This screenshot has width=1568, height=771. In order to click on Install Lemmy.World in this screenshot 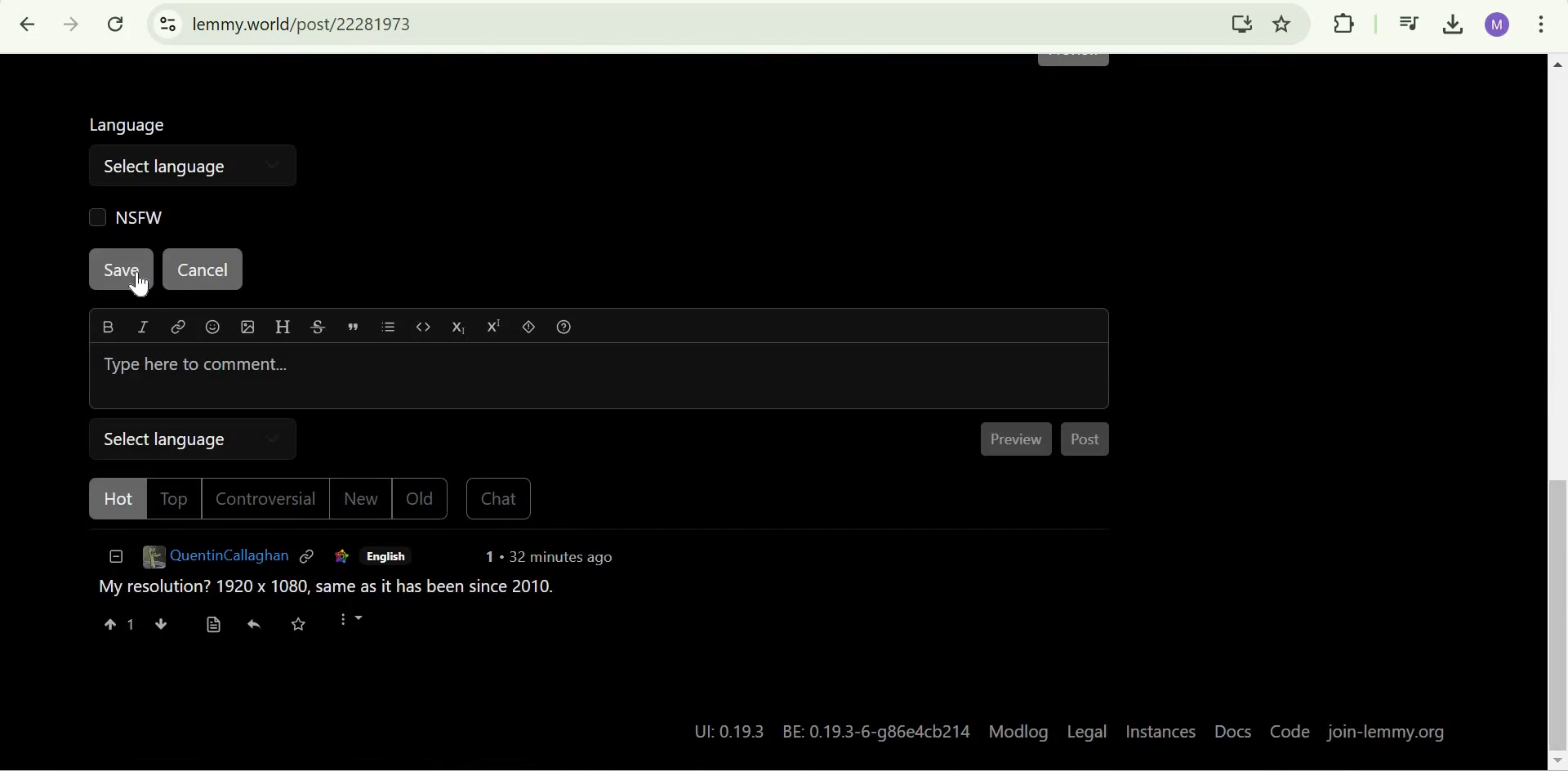, I will do `click(1243, 23)`.